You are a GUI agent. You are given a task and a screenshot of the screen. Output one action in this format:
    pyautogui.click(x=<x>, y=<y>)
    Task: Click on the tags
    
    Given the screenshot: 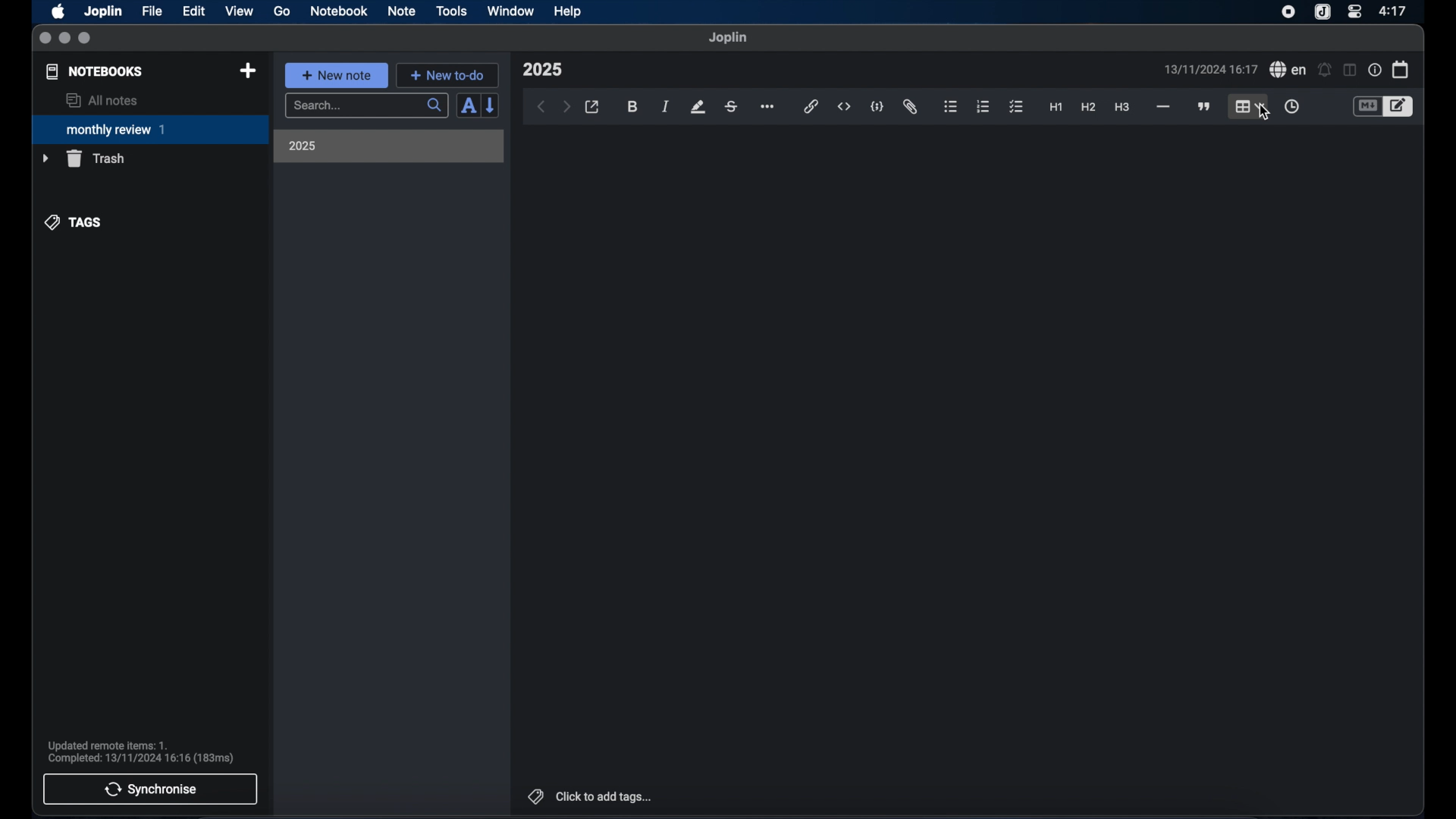 What is the action you would take?
    pyautogui.click(x=74, y=222)
    